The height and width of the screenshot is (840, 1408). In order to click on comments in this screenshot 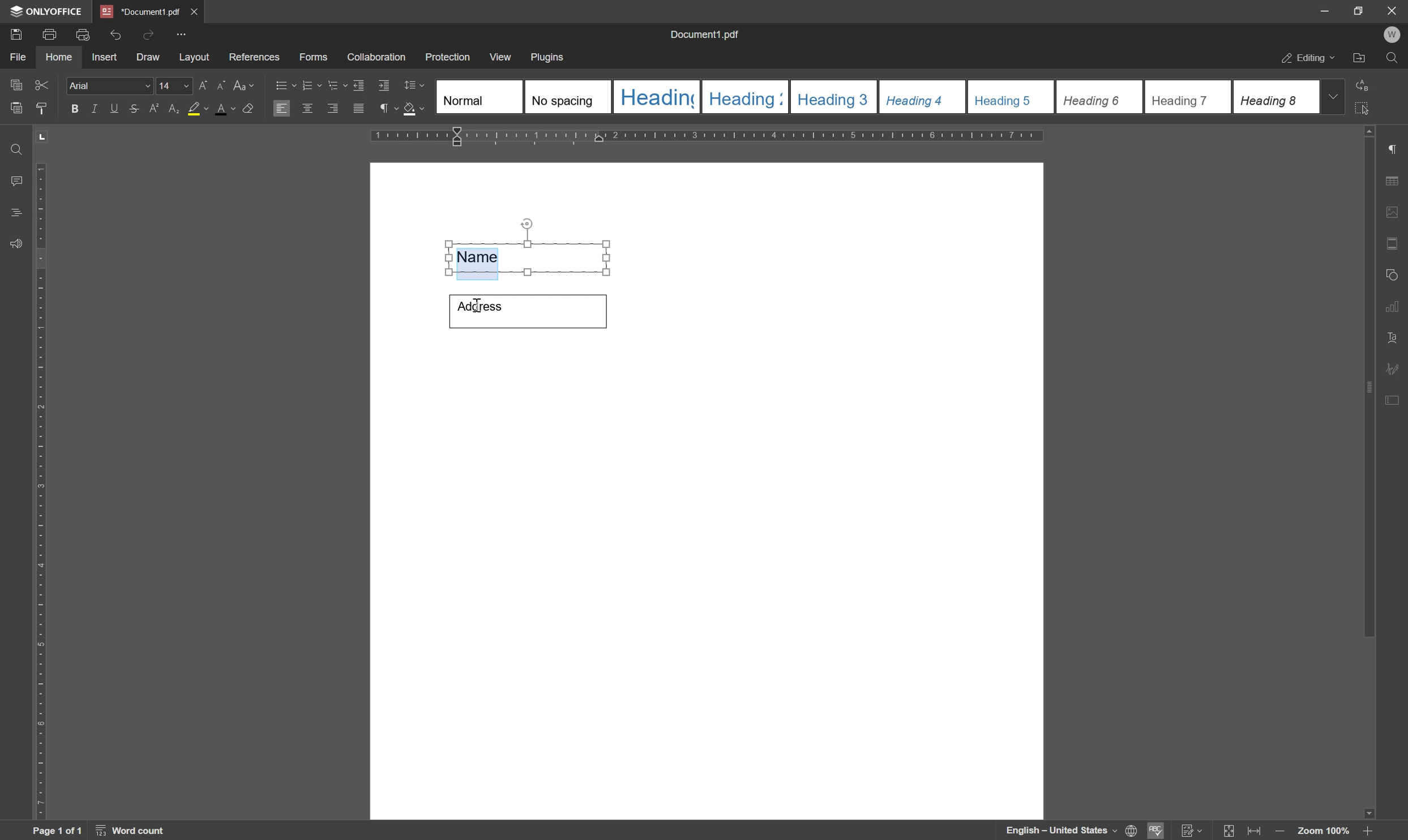, I will do `click(14, 181)`.